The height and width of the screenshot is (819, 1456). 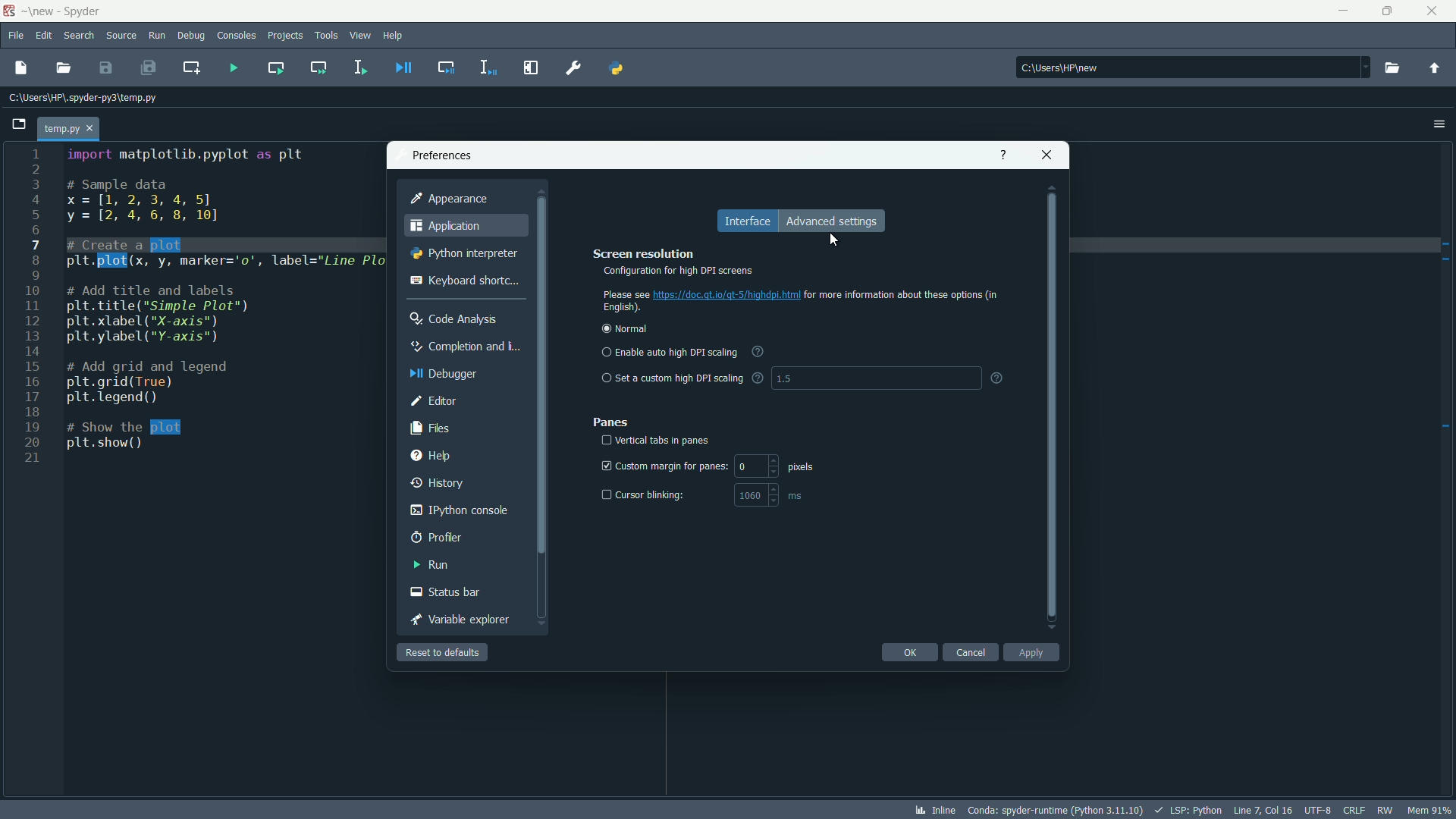 I want to click on help, so click(x=432, y=454).